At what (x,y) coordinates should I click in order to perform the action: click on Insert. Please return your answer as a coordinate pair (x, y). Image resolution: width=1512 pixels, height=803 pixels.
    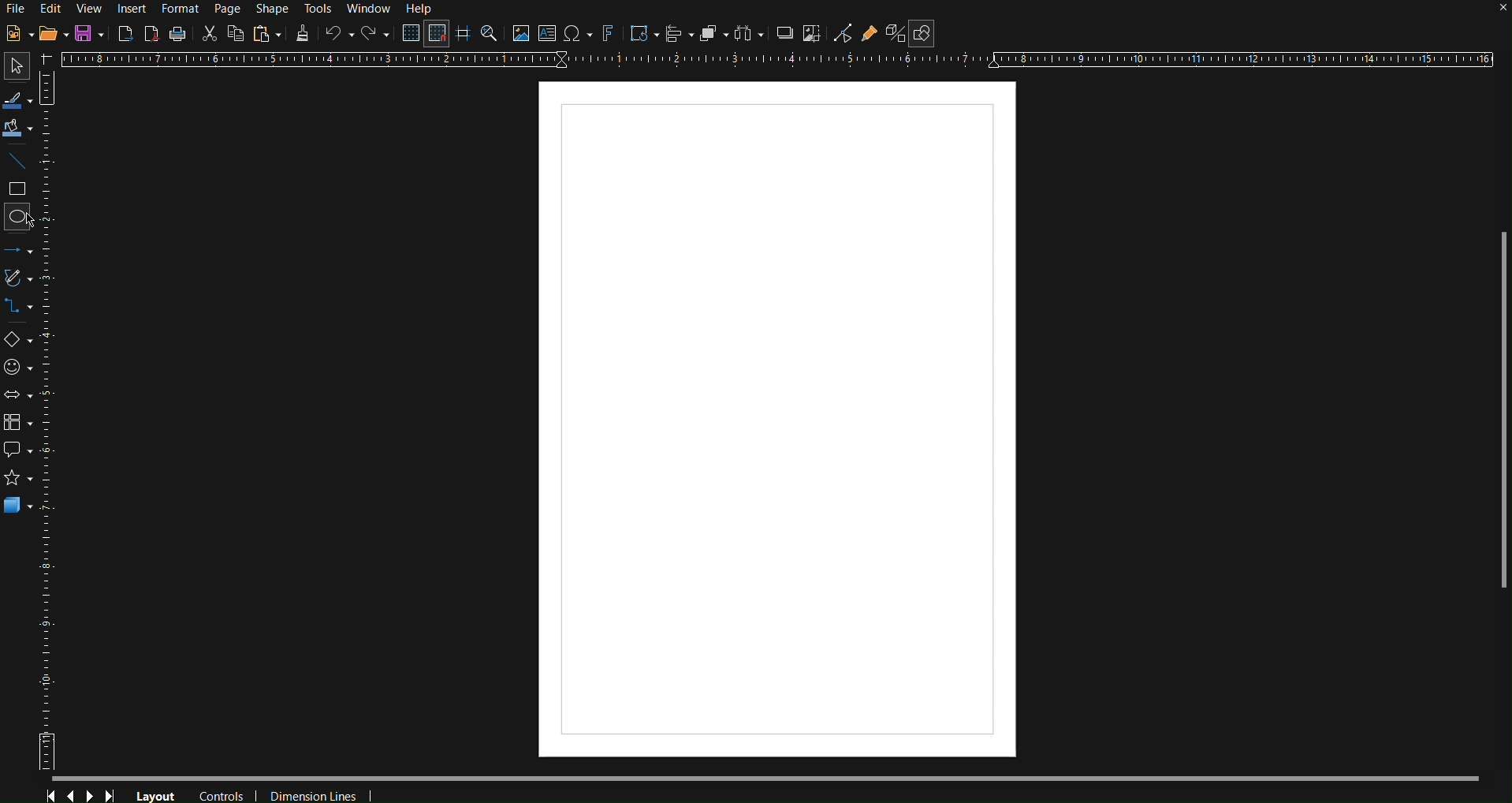
    Looking at the image, I should click on (134, 9).